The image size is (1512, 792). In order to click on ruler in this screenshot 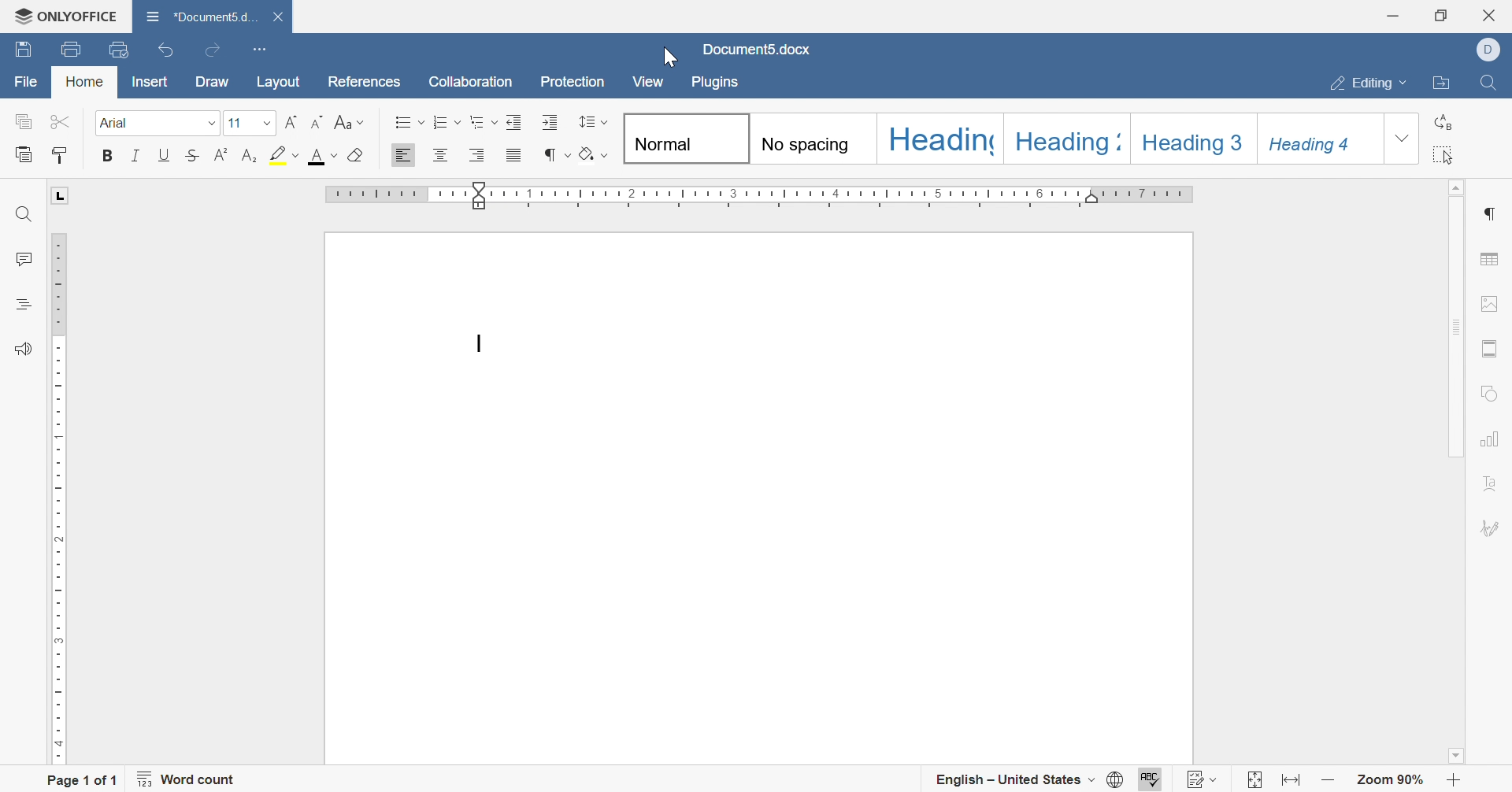, I will do `click(391, 195)`.